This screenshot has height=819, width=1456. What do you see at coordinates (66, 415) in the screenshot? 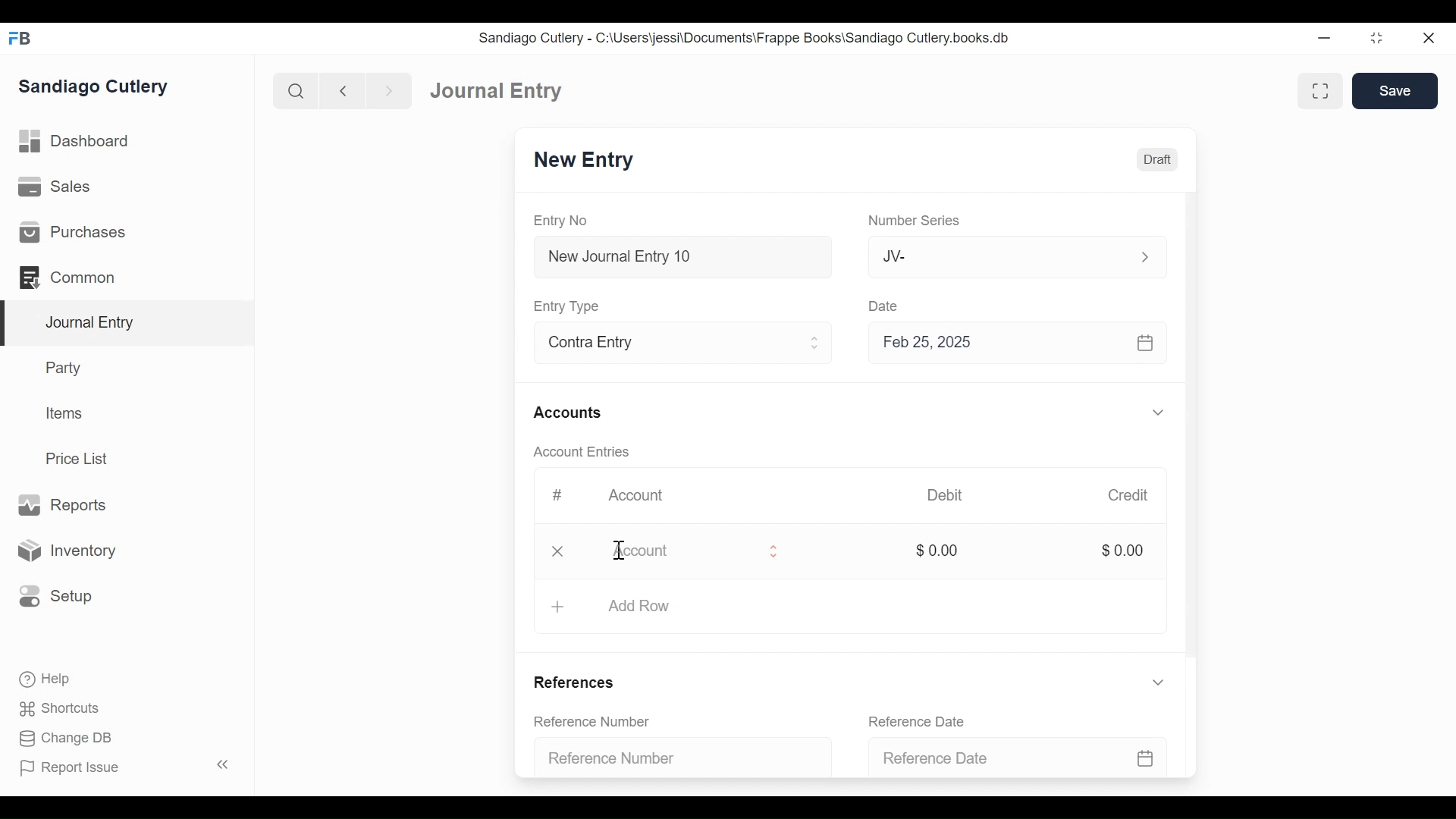
I see `Items` at bounding box center [66, 415].